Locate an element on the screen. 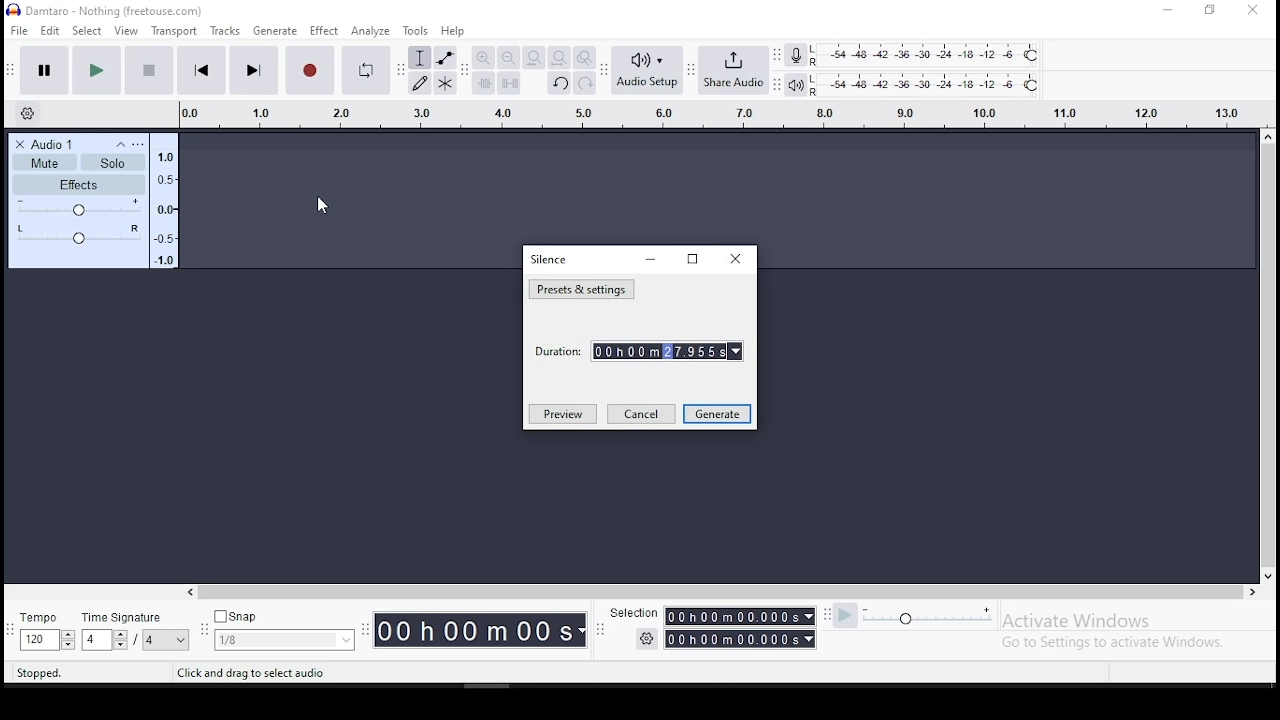  pause is located at coordinates (42, 70).